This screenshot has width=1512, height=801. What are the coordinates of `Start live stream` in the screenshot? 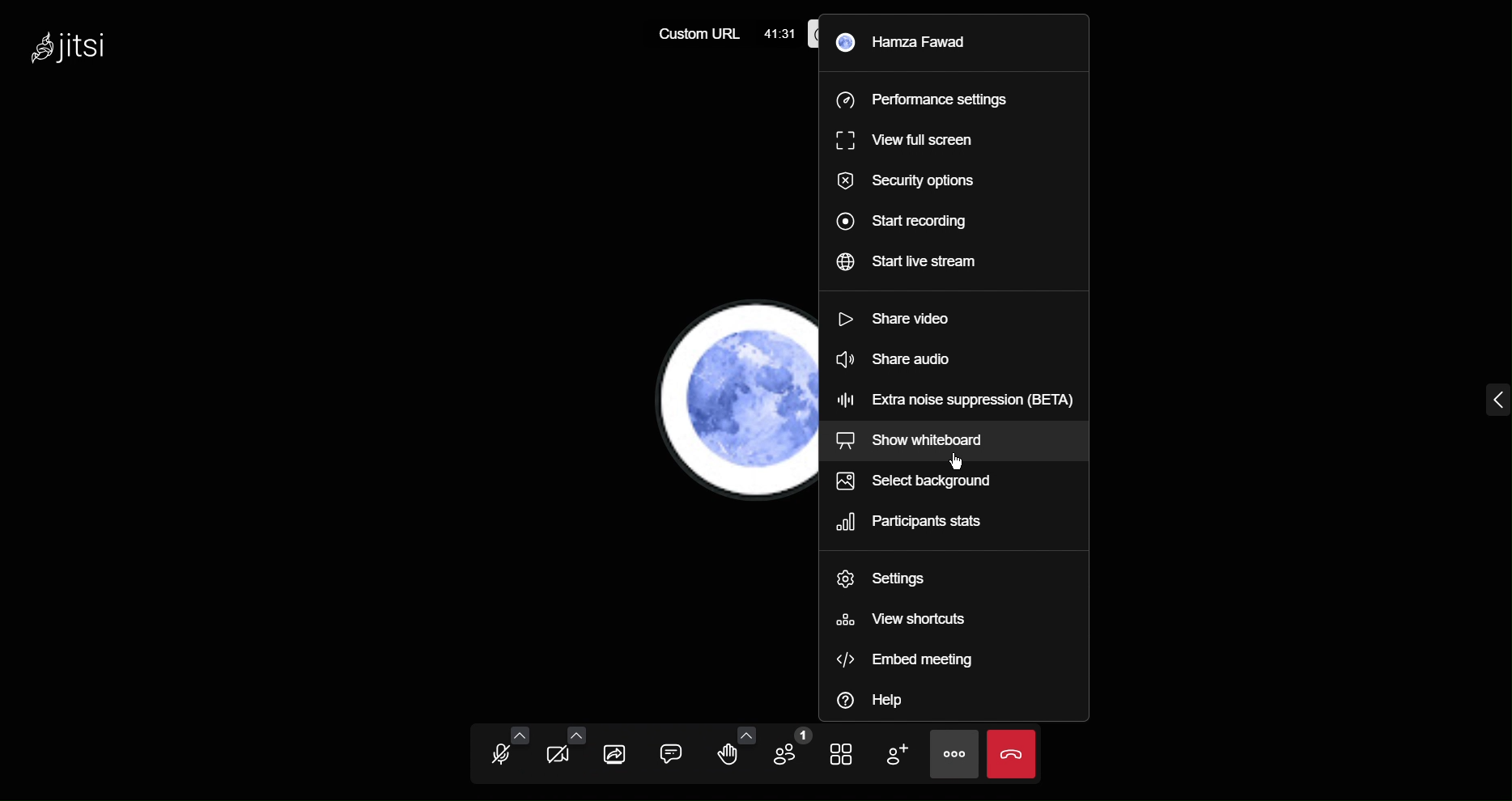 It's located at (907, 266).